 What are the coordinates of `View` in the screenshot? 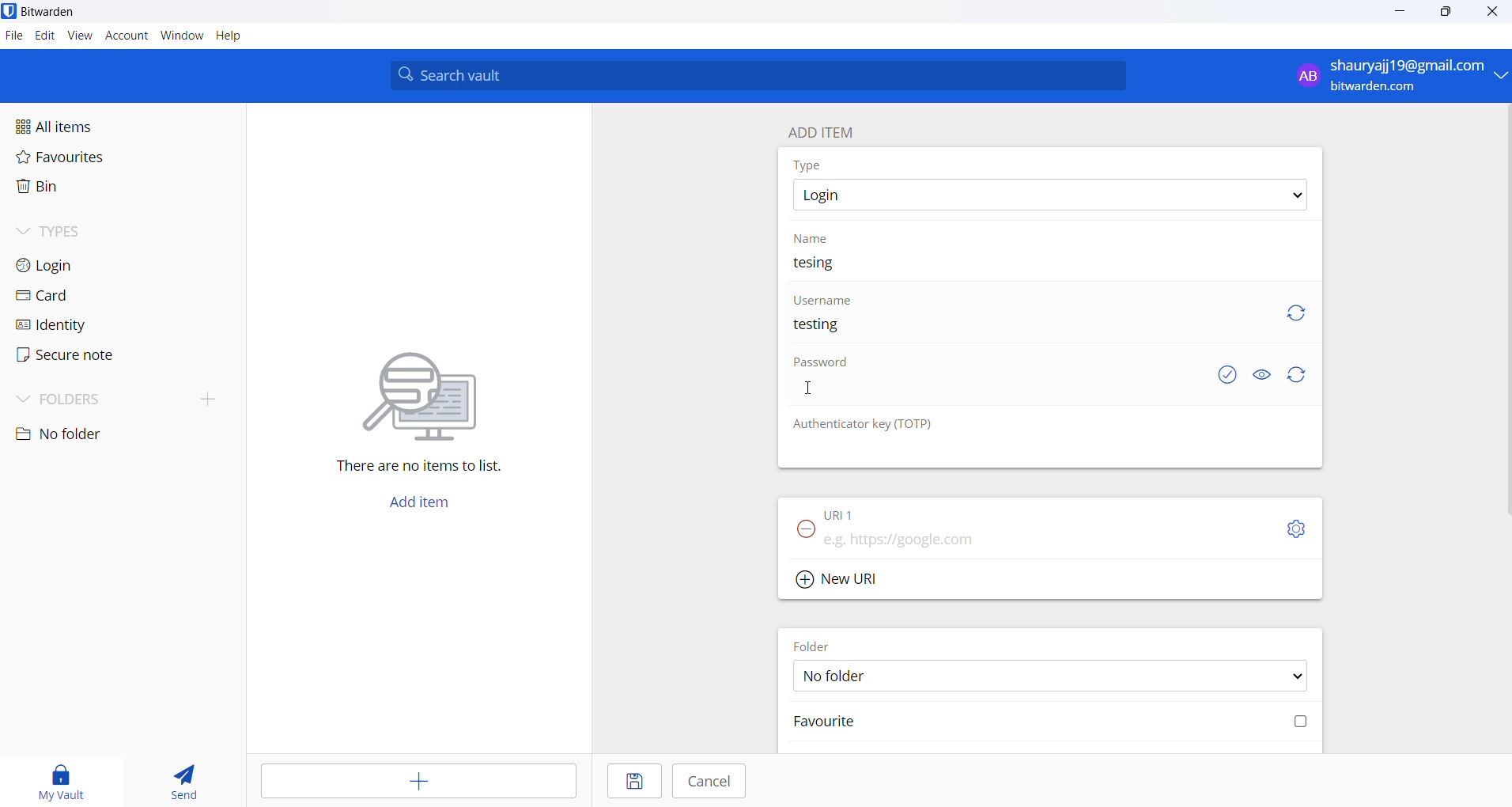 It's located at (81, 36).